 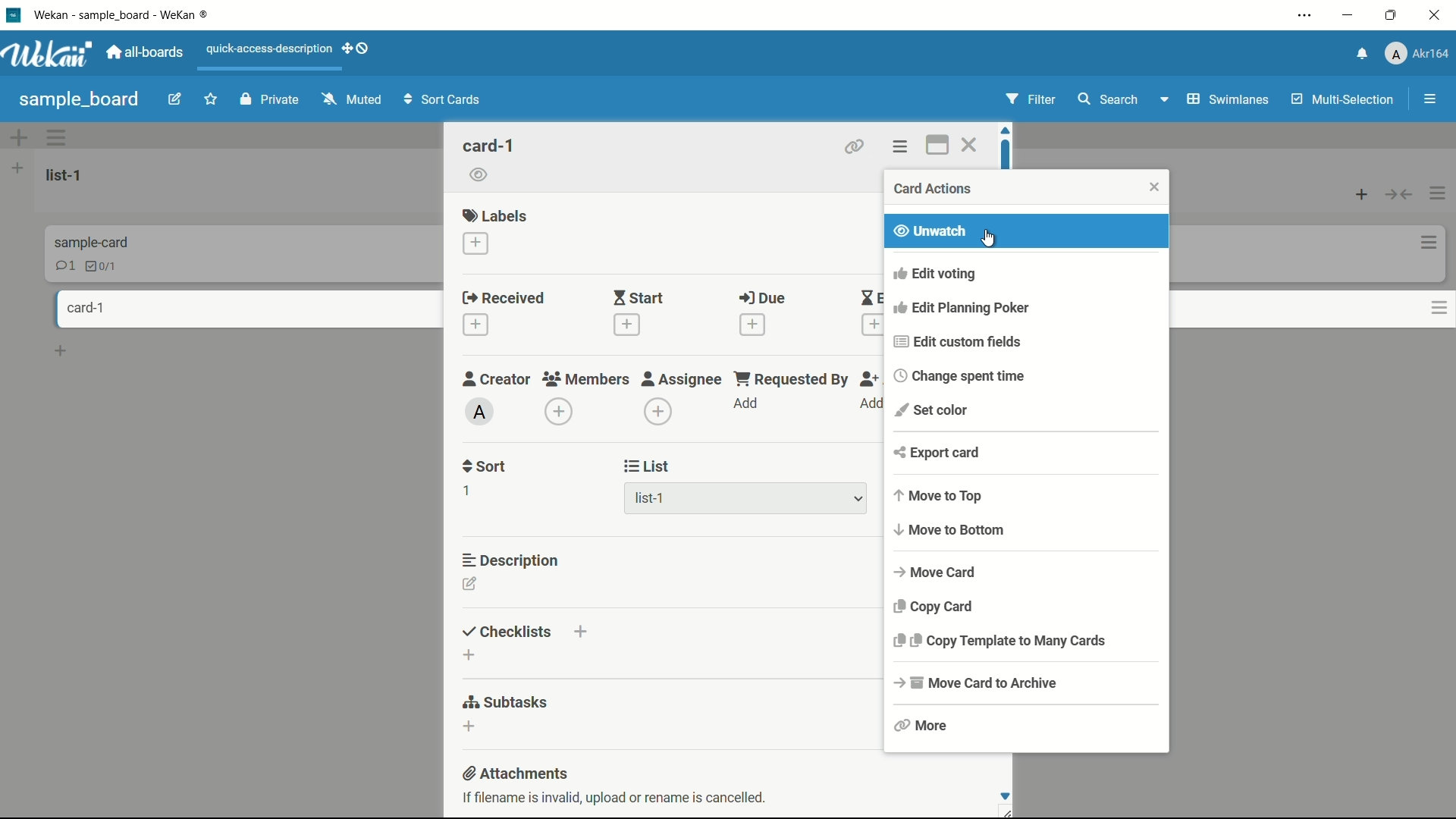 I want to click on Wekan logo, so click(x=49, y=55).